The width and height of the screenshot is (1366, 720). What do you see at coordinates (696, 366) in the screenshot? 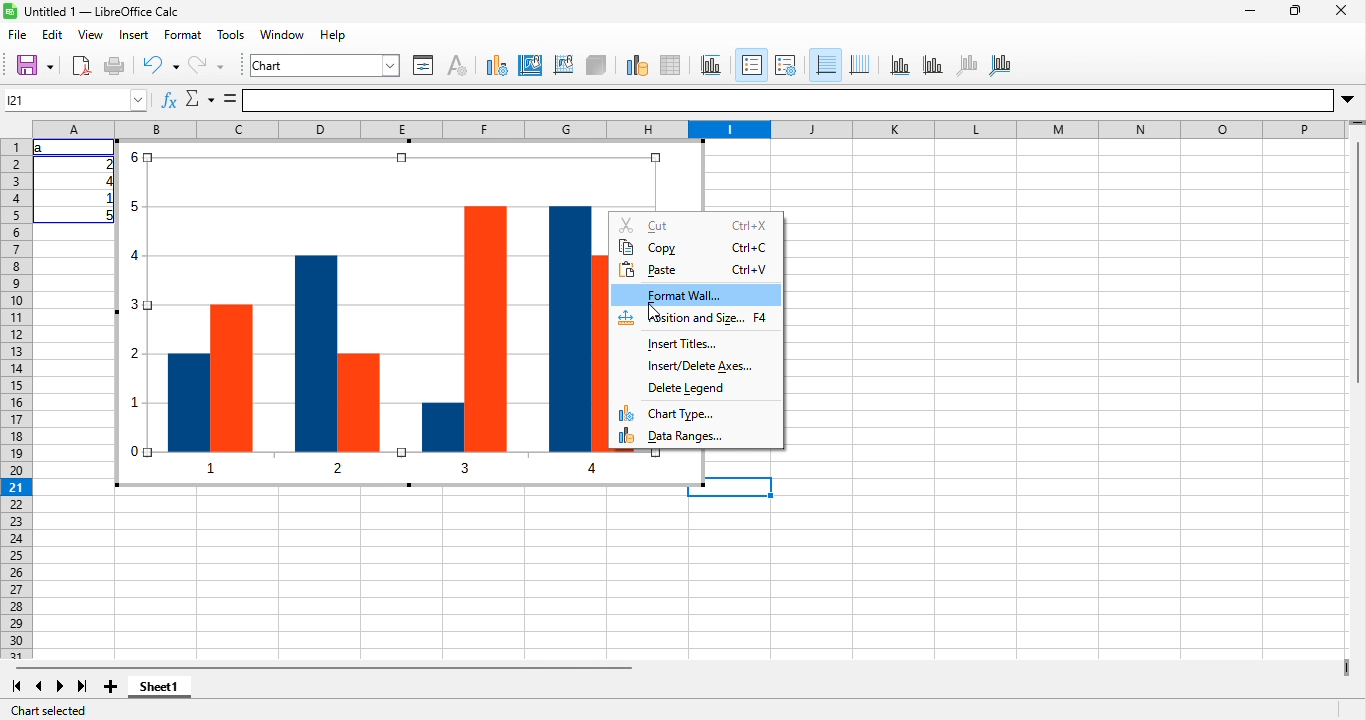
I see `insert/delete axes` at bounding box center [696, 366].